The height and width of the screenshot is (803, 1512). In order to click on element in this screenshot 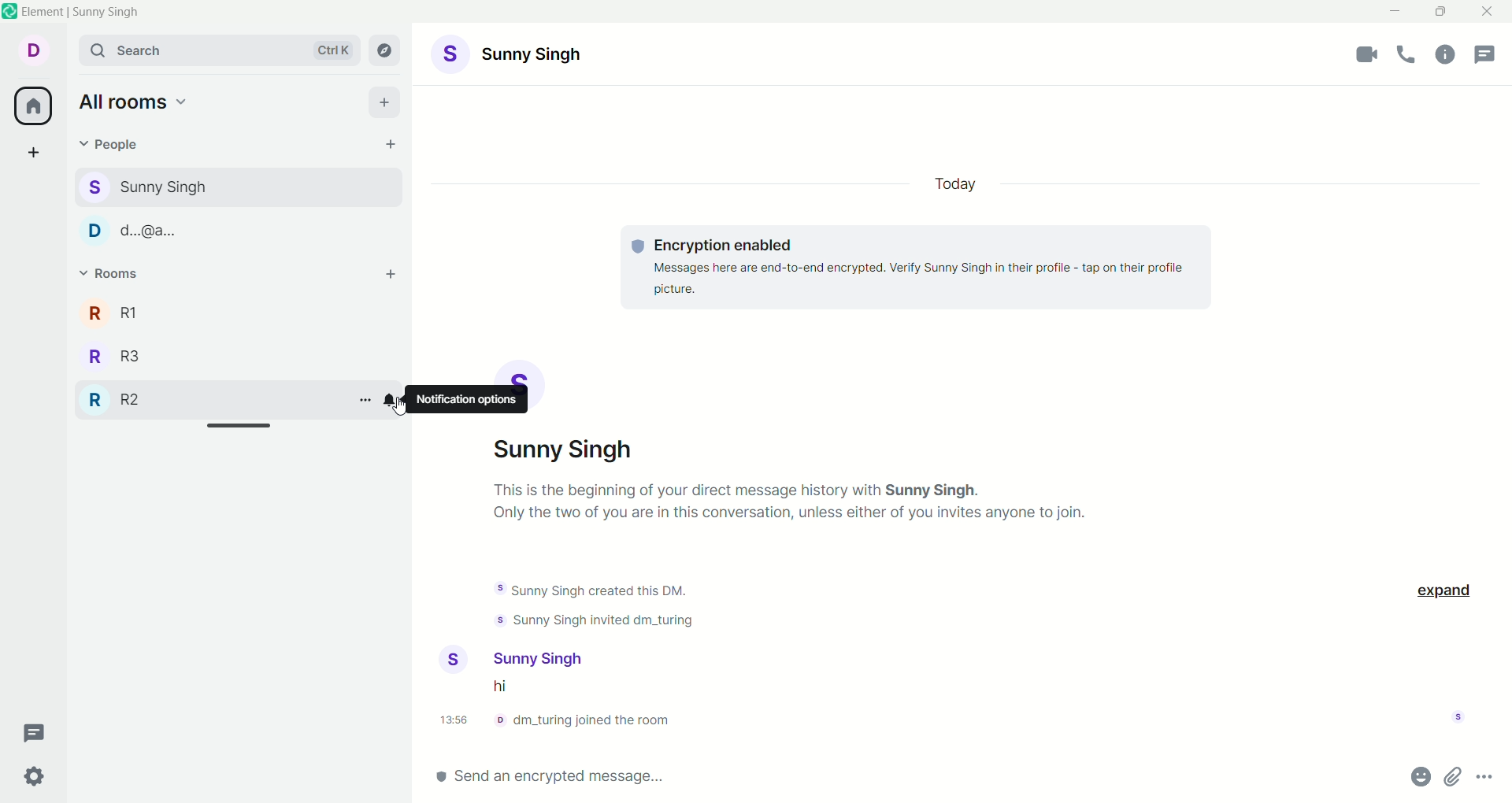, I will do `click(75, 13)`.